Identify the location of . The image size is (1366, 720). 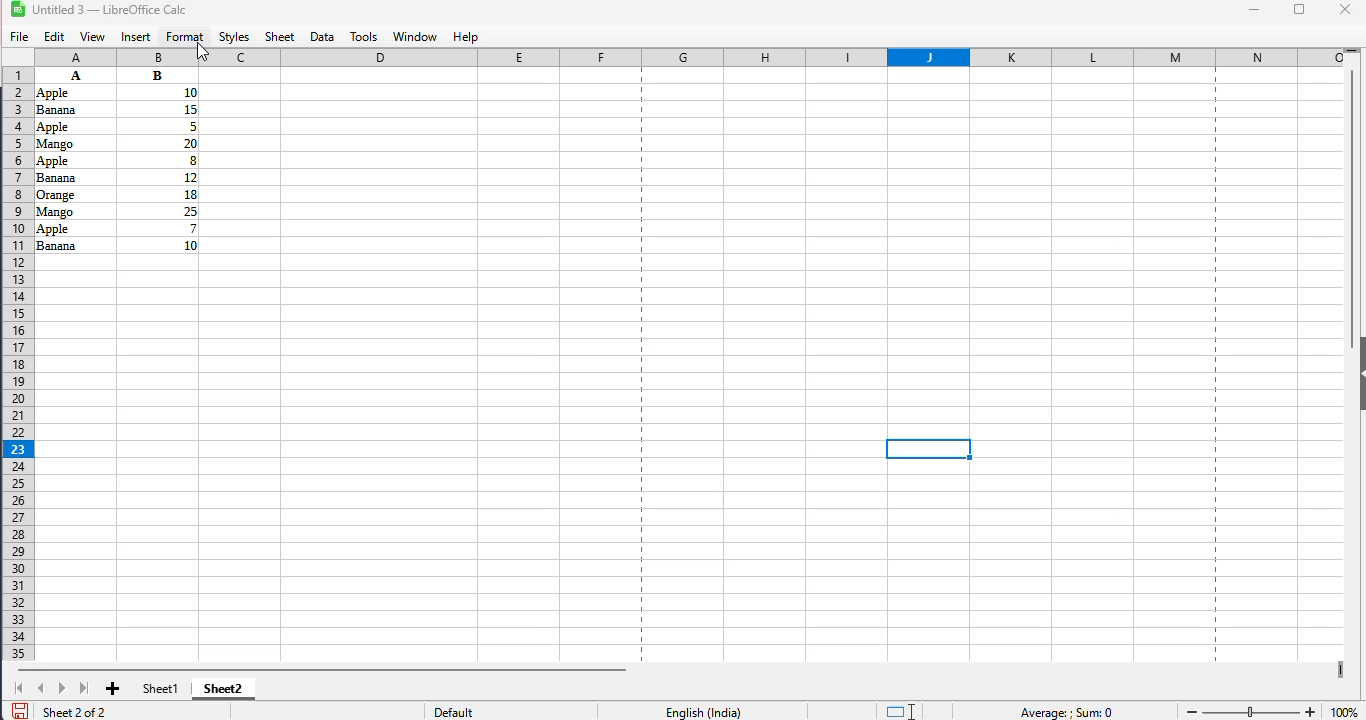
(158, 92).